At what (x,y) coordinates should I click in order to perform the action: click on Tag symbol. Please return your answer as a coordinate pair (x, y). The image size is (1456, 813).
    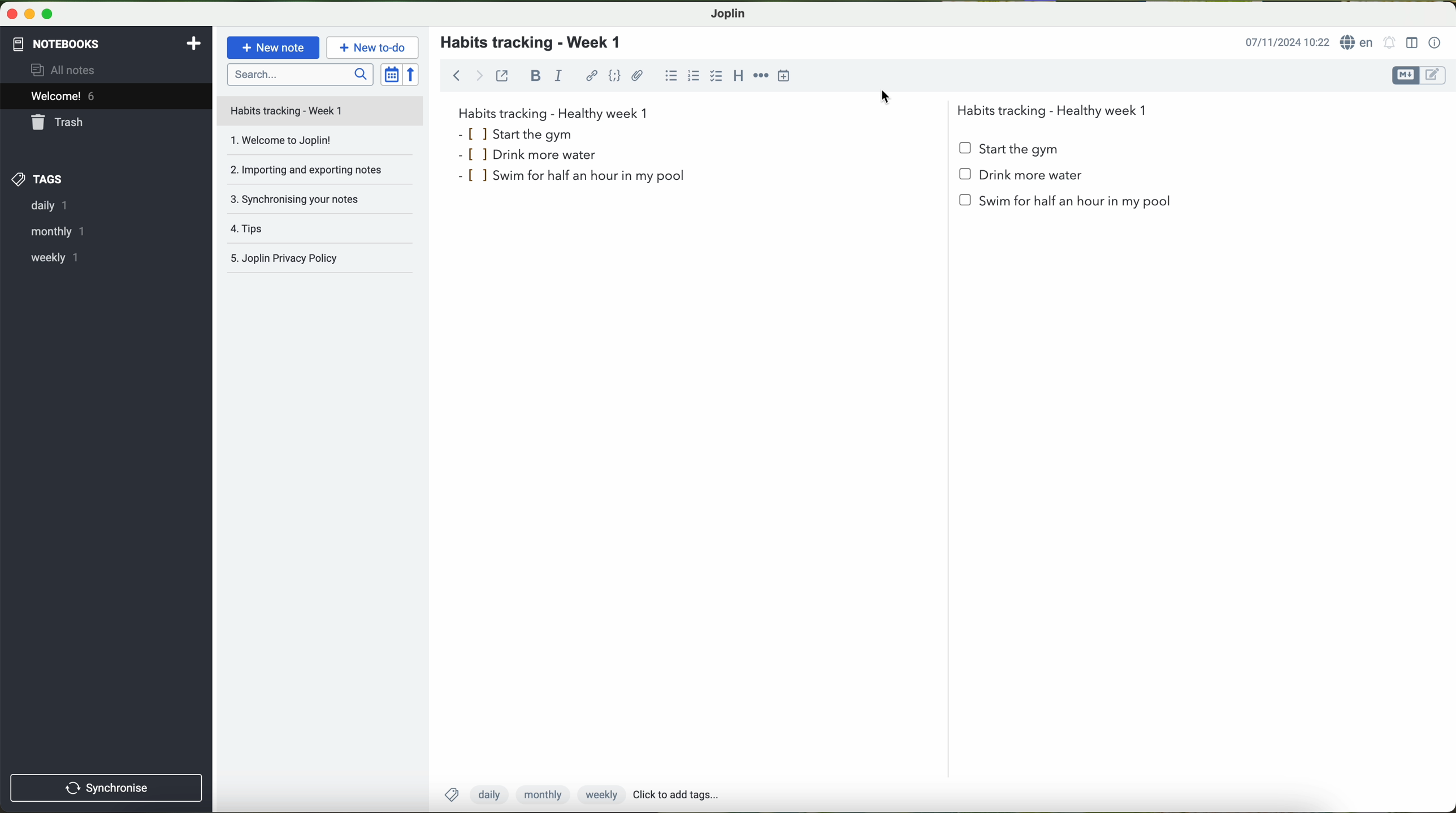
    Looking at the image, I should click on (453, 794).